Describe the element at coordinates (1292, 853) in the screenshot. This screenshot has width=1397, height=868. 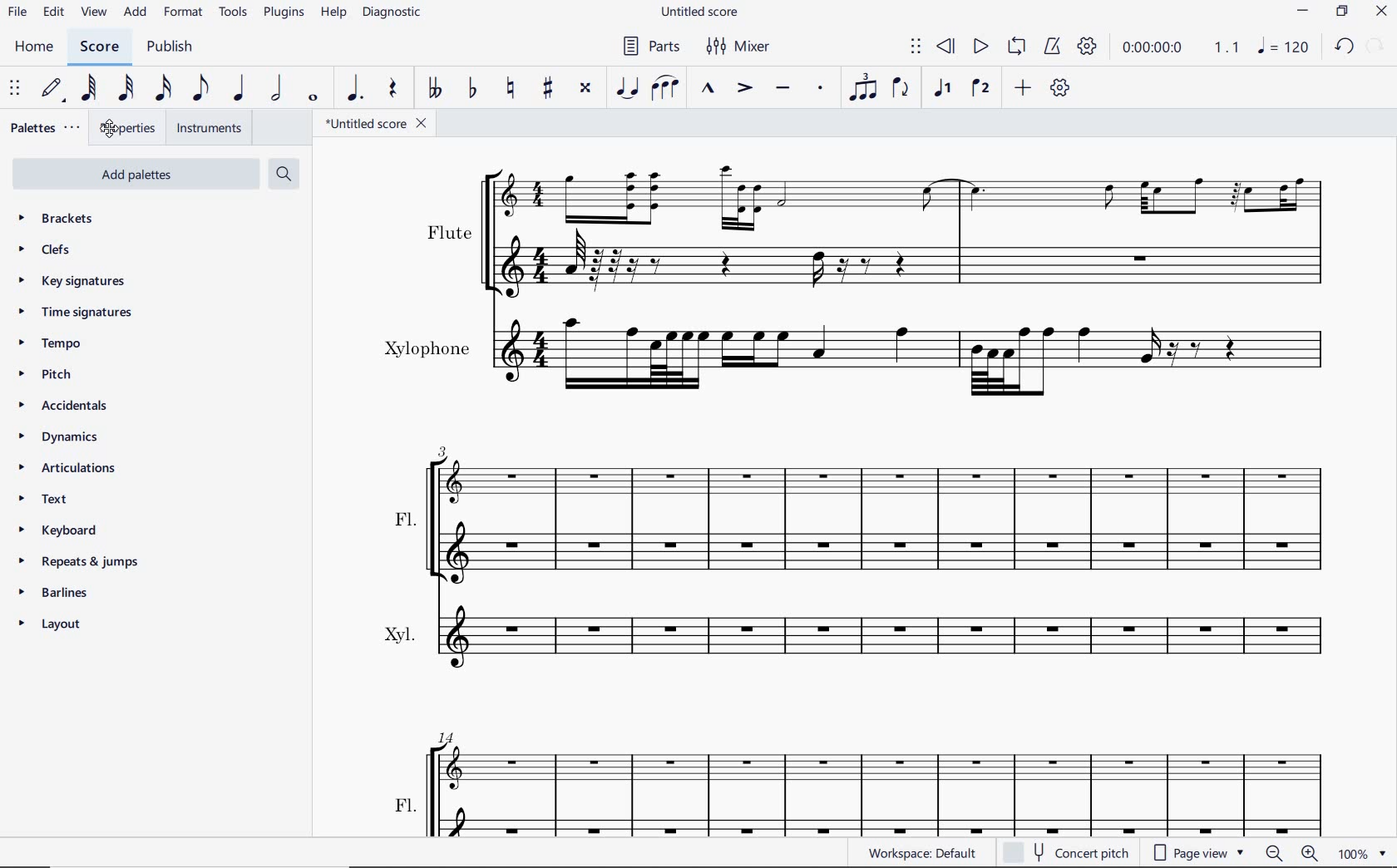
I see `zoom out or zoom in` at that location.